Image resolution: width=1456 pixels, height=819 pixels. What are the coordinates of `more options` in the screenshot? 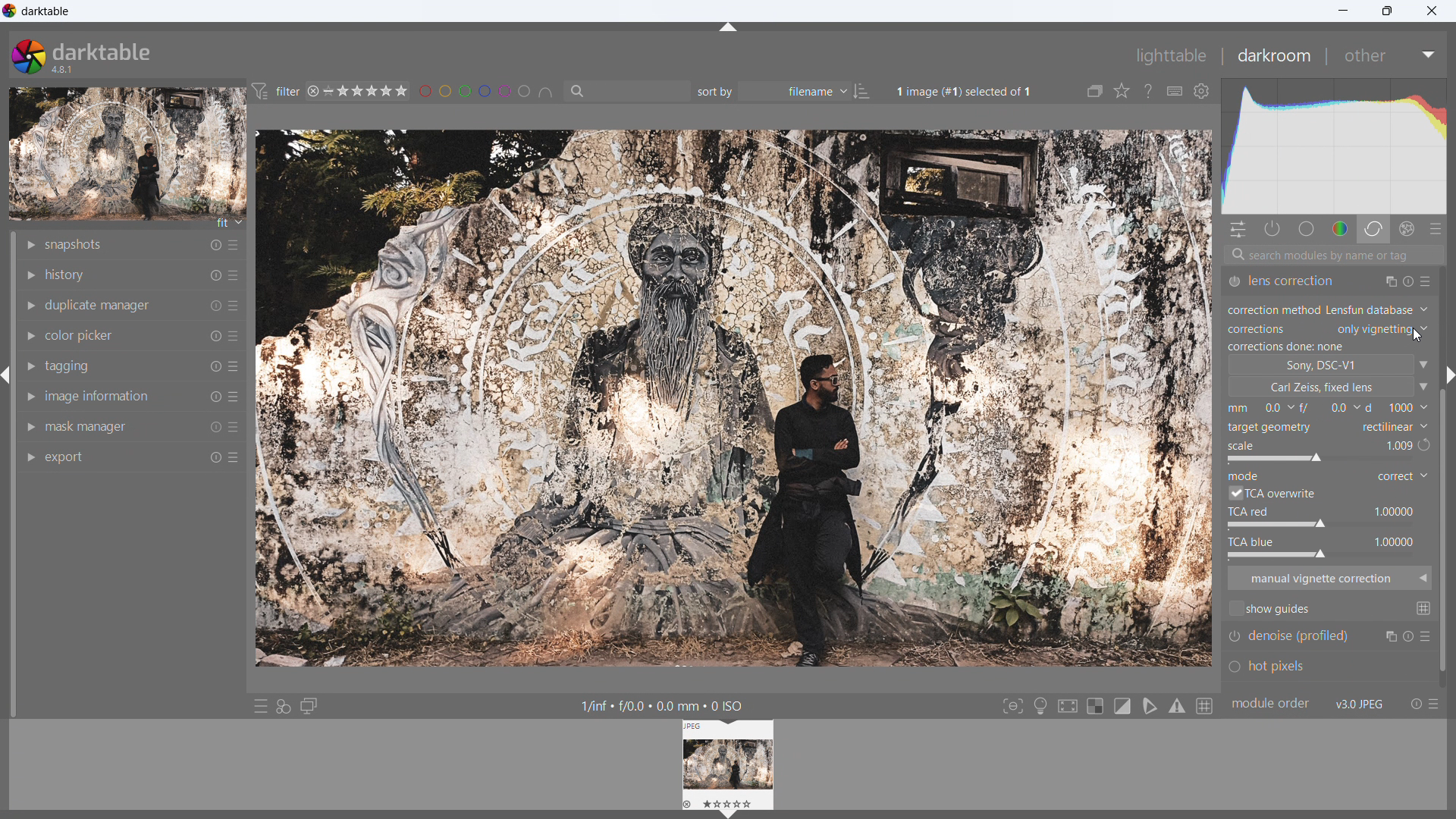 It's located at (236, 454).